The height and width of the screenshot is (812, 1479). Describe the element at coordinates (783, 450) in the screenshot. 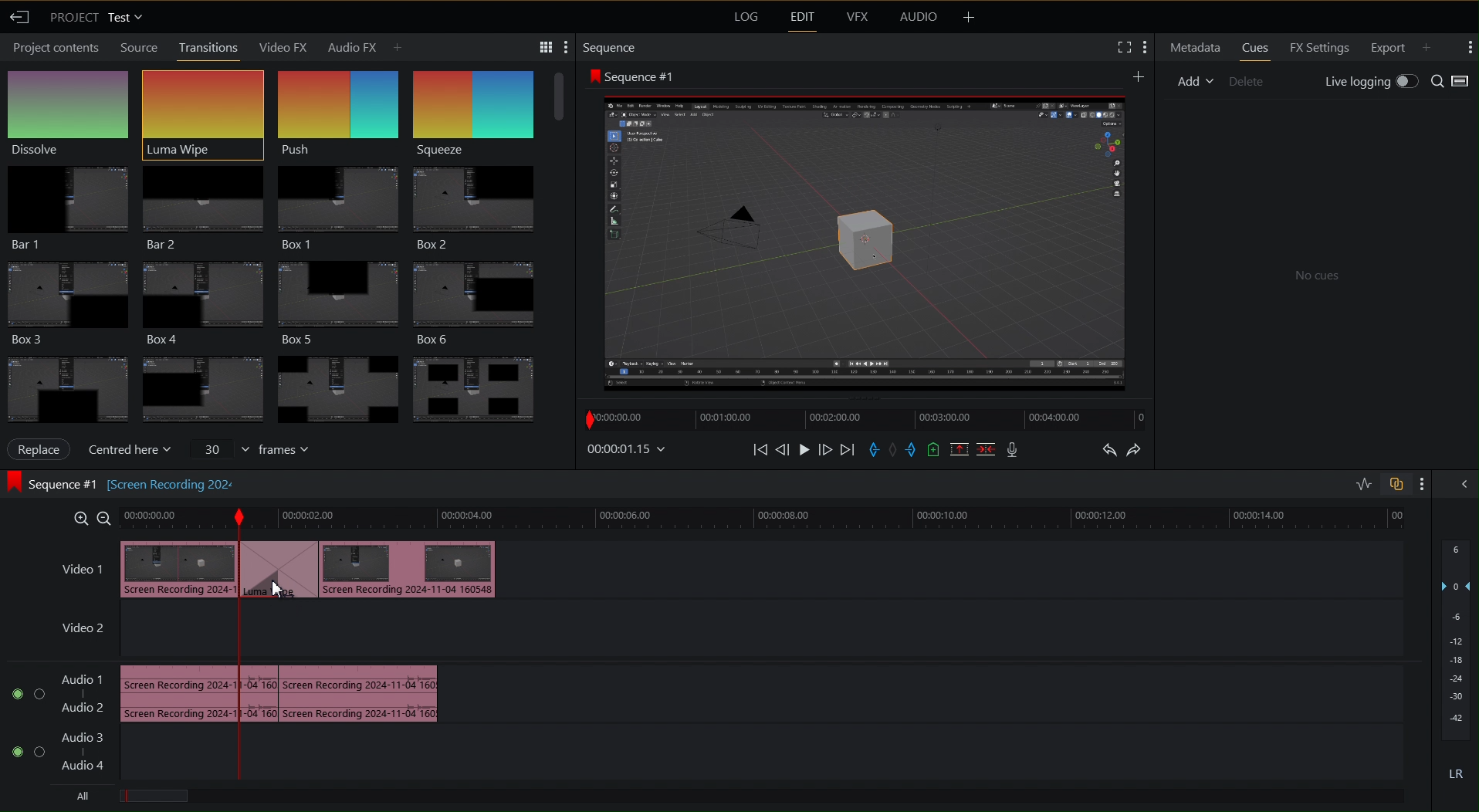

I see `Move Back` at that location.